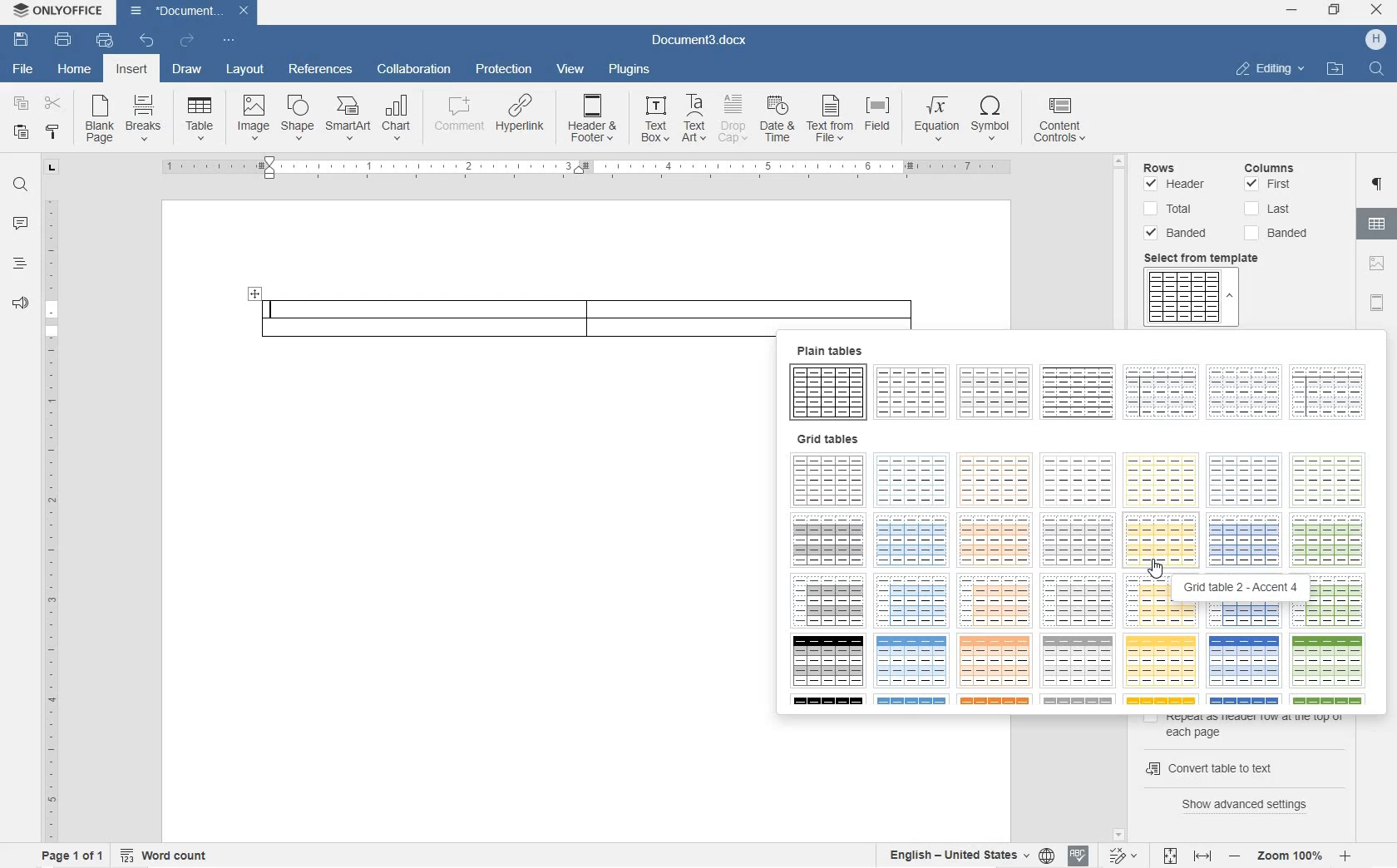 This screenshot has width=1397, height=868. I want to click on FIND, so click(19, 187).